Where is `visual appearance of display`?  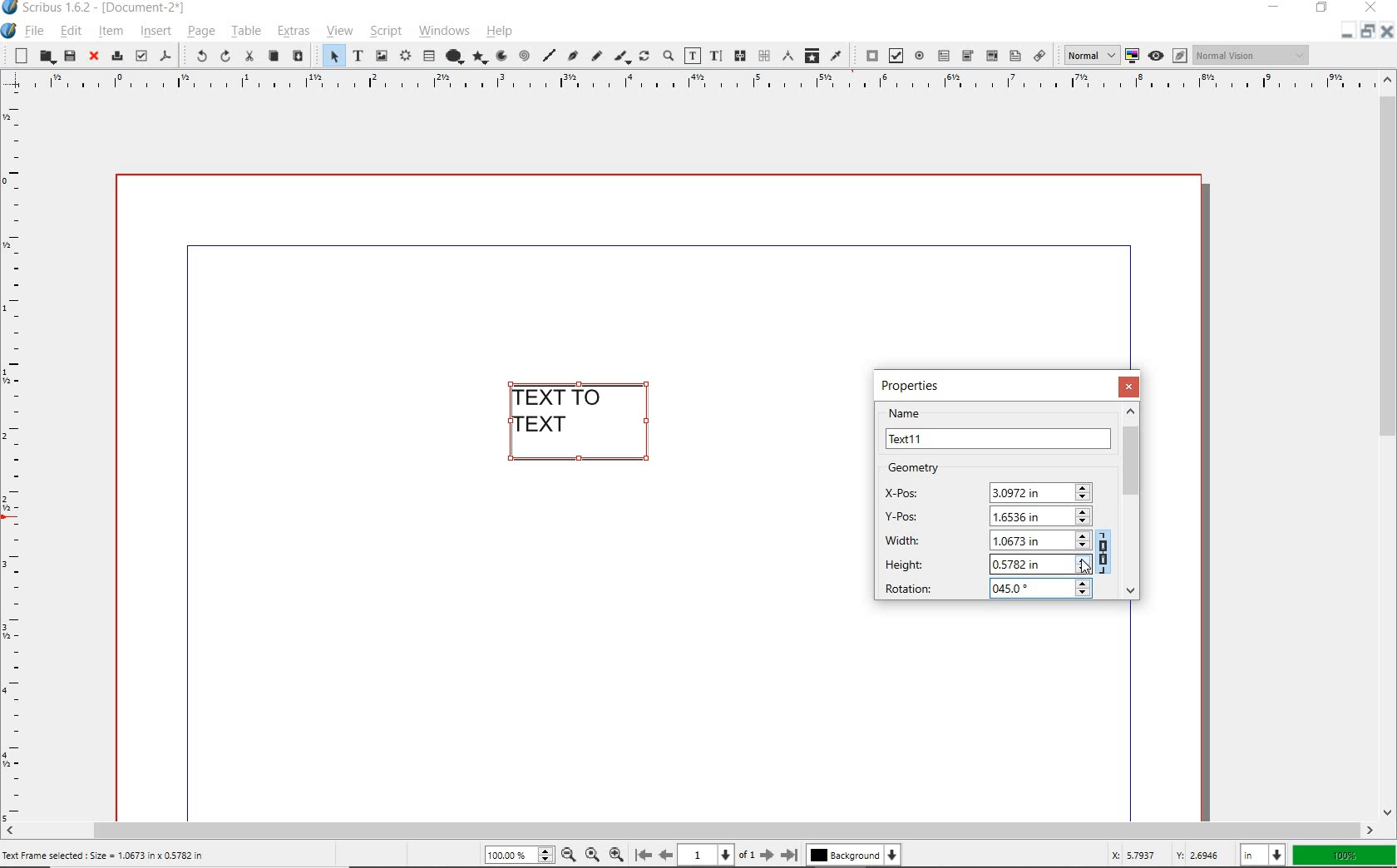
visual appearance of display is located at coordinates (1251, 55).